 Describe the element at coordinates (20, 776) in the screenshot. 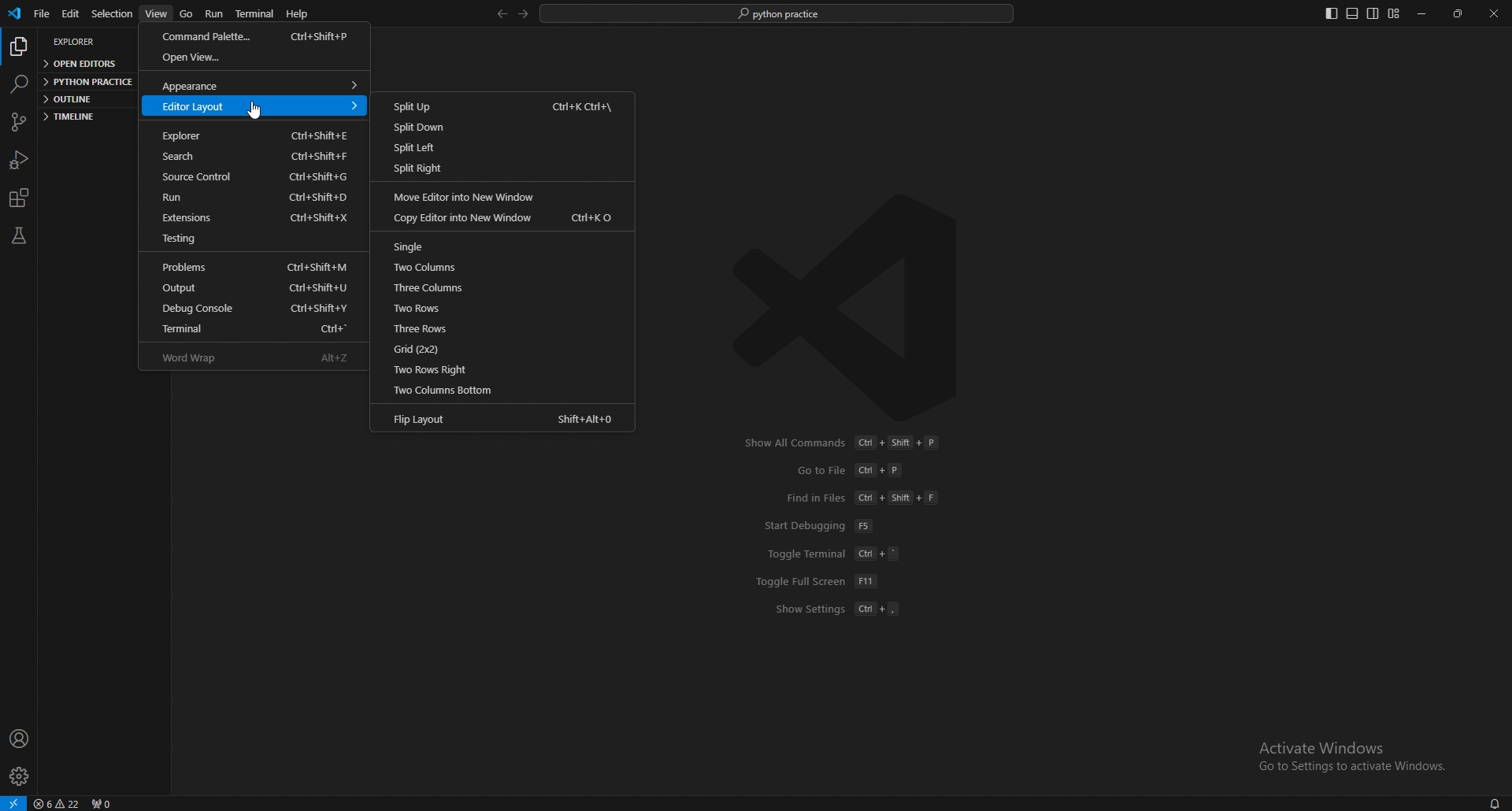

I see `settings` at that location.